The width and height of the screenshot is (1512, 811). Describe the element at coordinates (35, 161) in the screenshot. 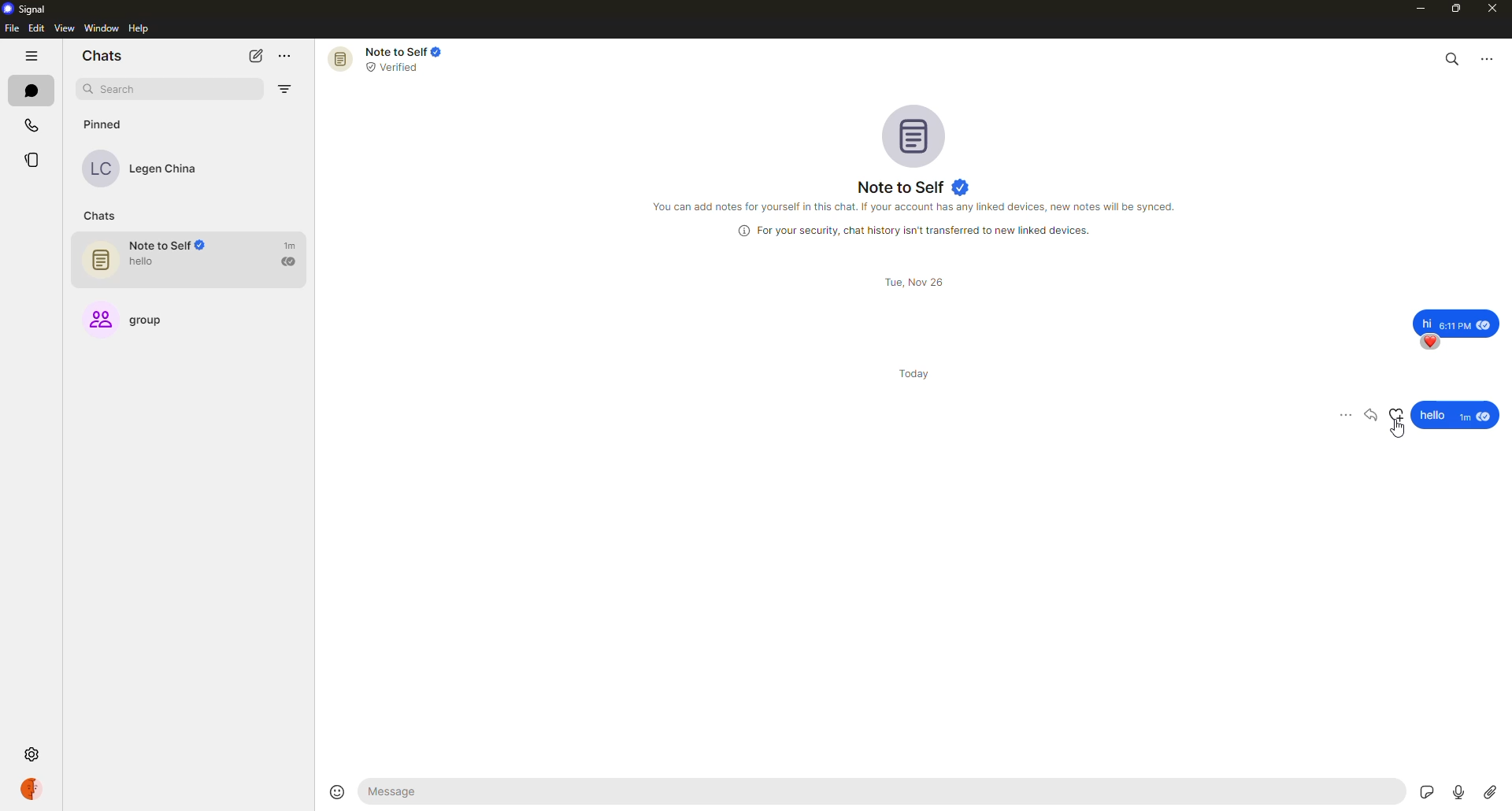

I see `stories` at that location.